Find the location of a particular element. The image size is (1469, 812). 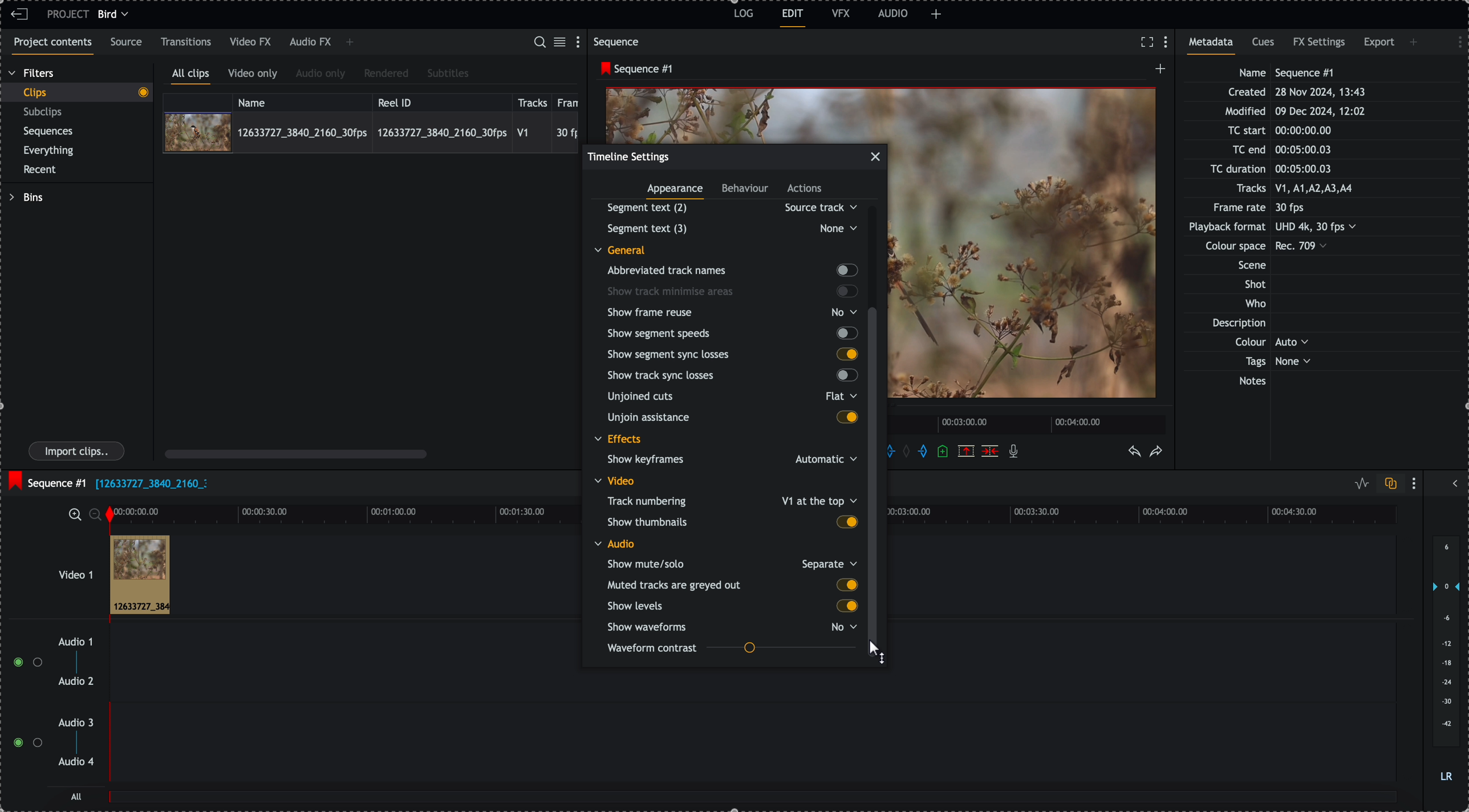

show frame reuse is located at coordinates (734, 312).